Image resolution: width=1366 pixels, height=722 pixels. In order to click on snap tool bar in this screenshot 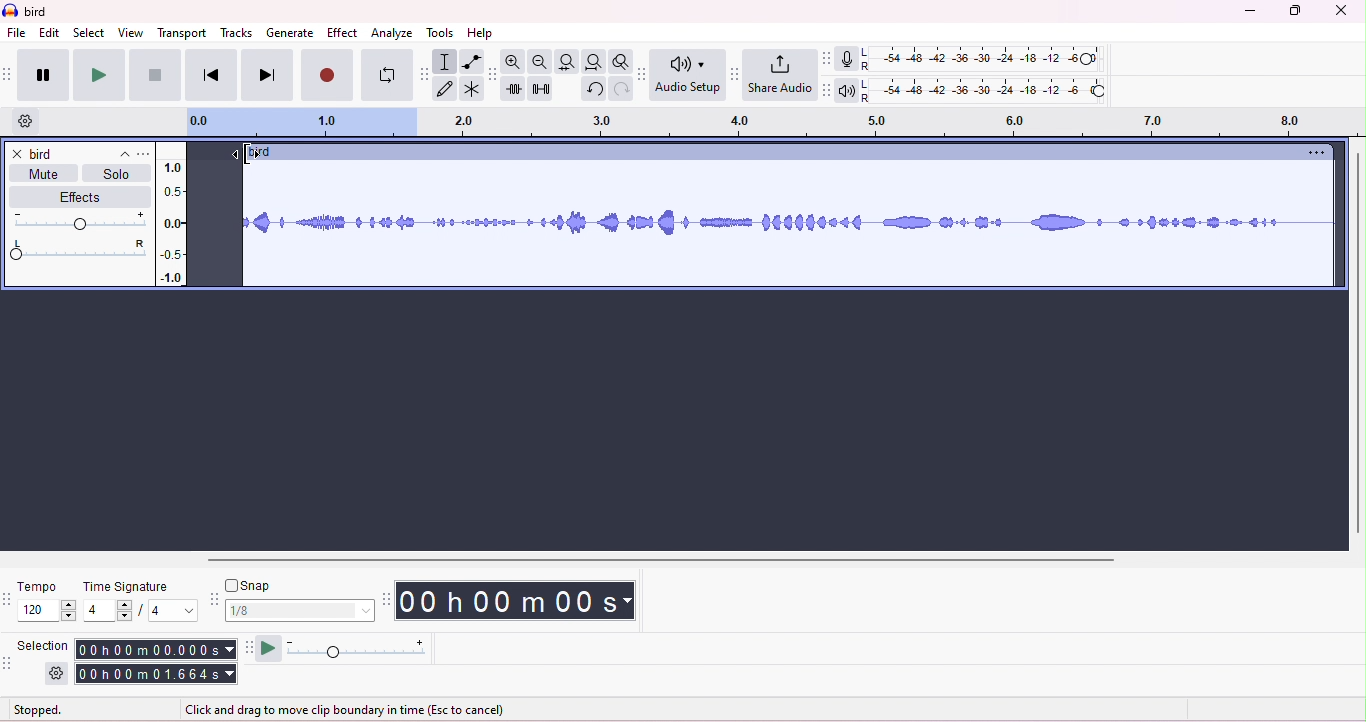, I will do `click(213, 597)`.